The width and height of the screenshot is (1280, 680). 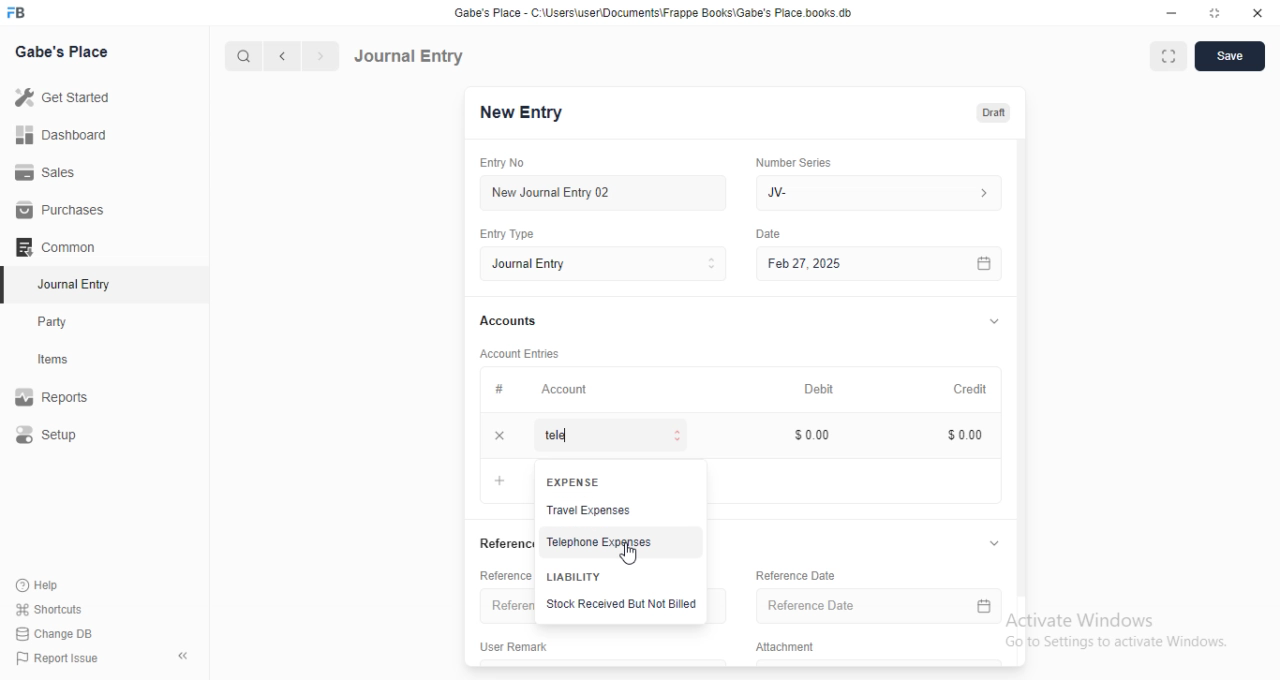 What do you see at coordinates (492, 480) in the screenshot?
I see `Add` at bounding box center [492, 480].